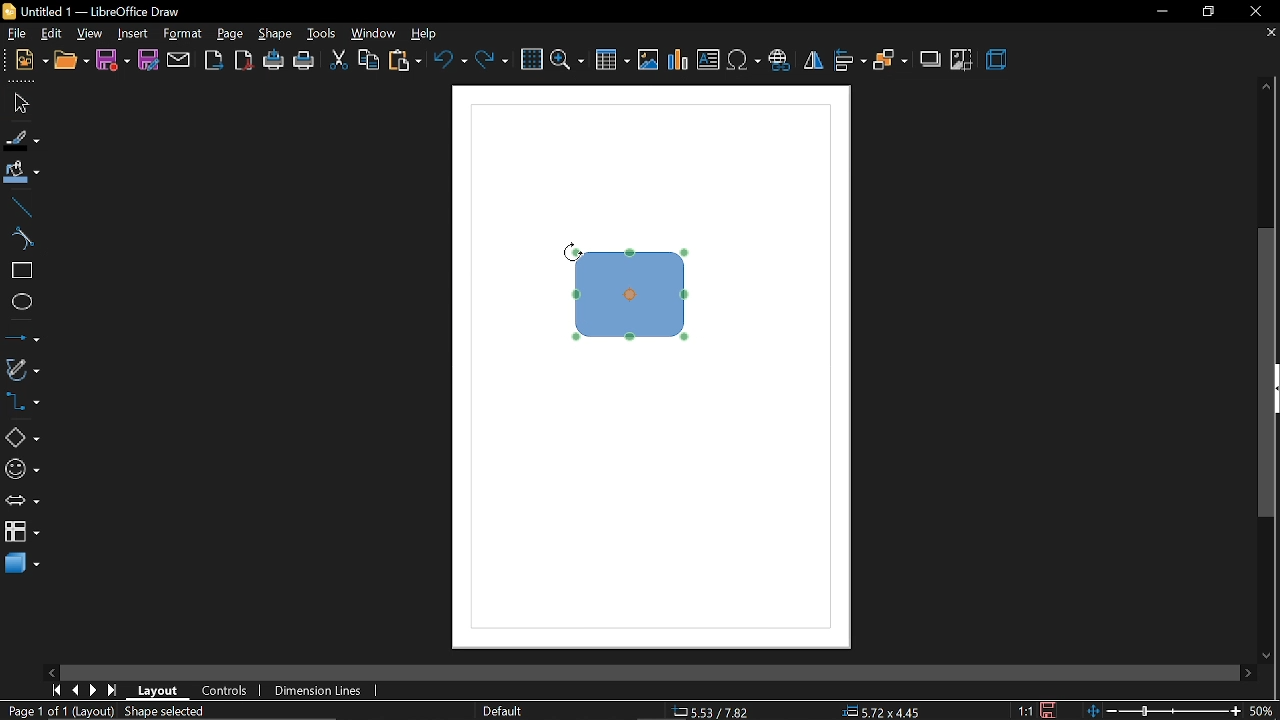  Describe the element at coordinates (21, 435) in the screenshot. I see `basic shapes` at that location.